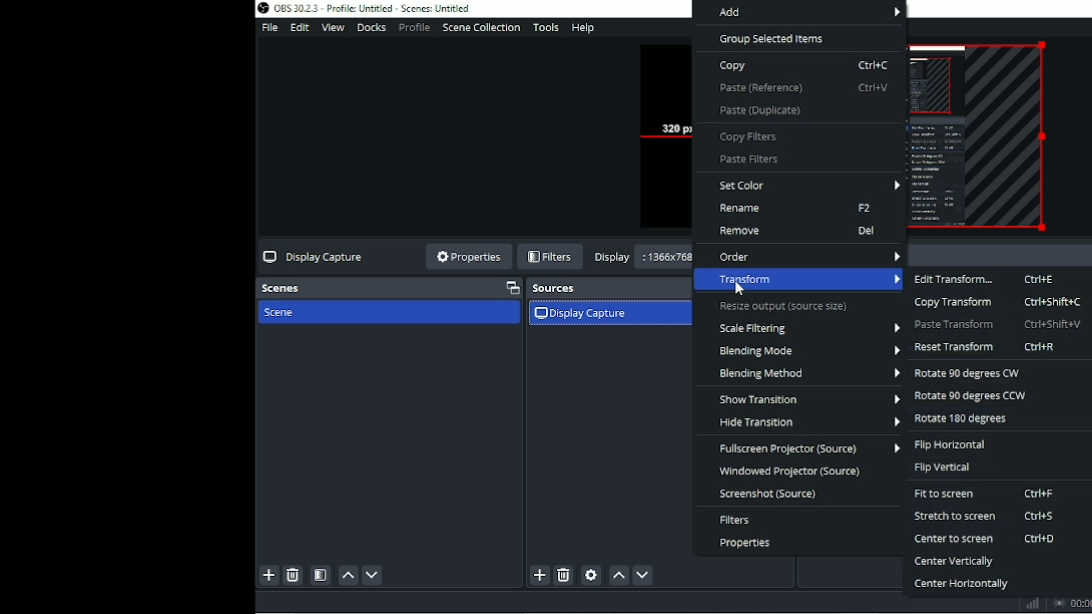 The width and height of the screenshot is (1092, 614). Describe the element at coordinates (801, 89) in the screenshot. I see `Paste (Reference)` at that location.